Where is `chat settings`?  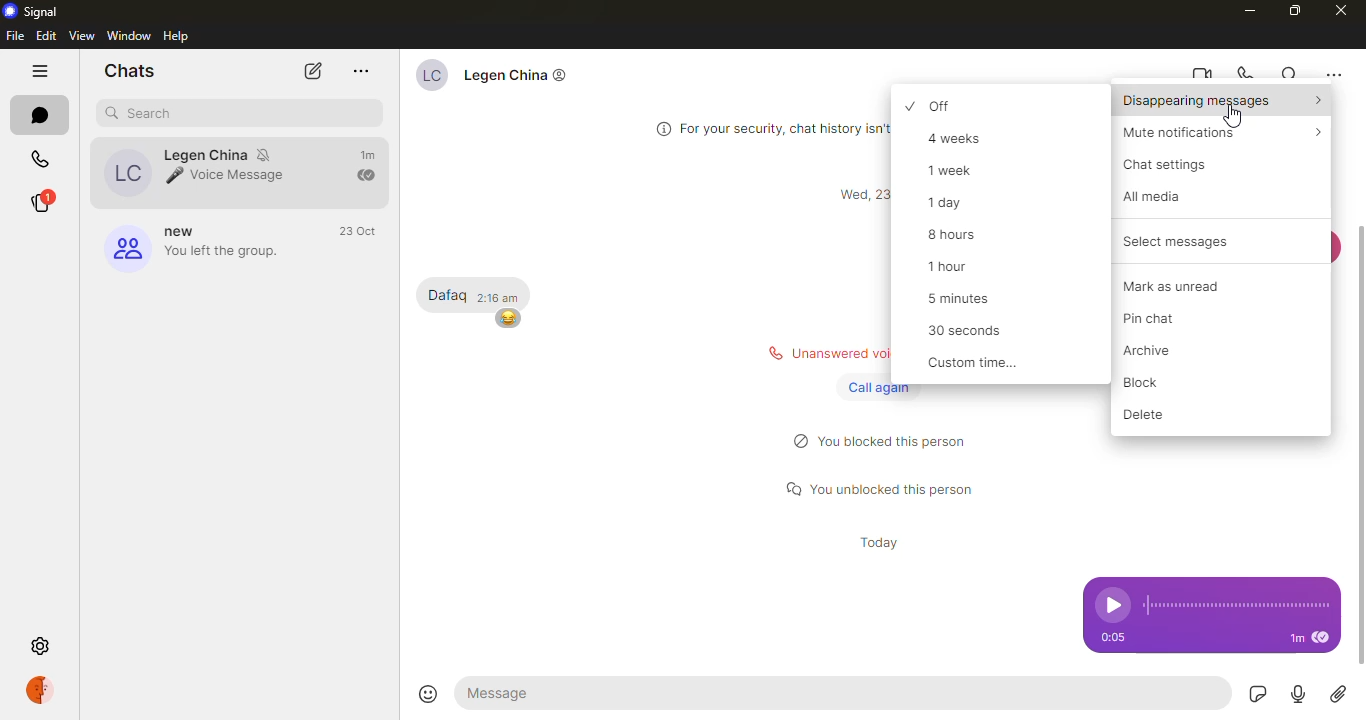 chat settings is located at coordinates (1171, 165).